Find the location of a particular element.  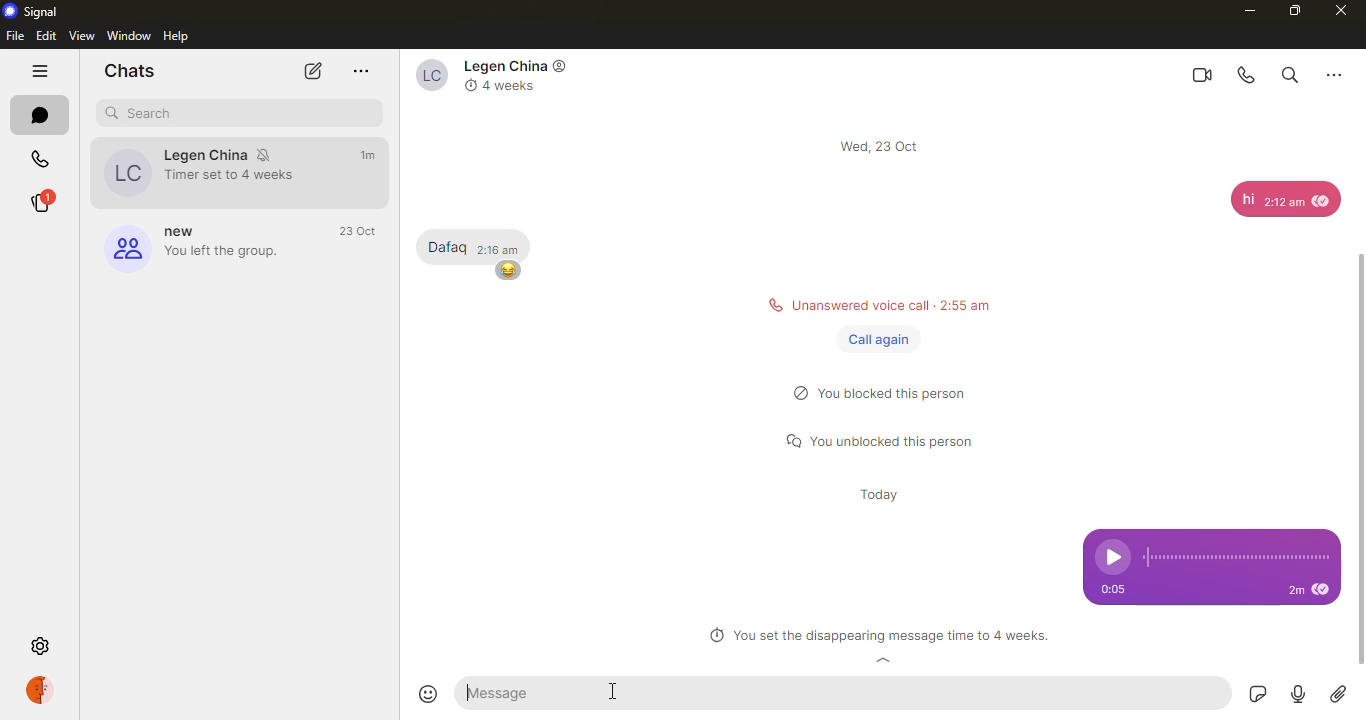

search is located at coordinates (145, 113).